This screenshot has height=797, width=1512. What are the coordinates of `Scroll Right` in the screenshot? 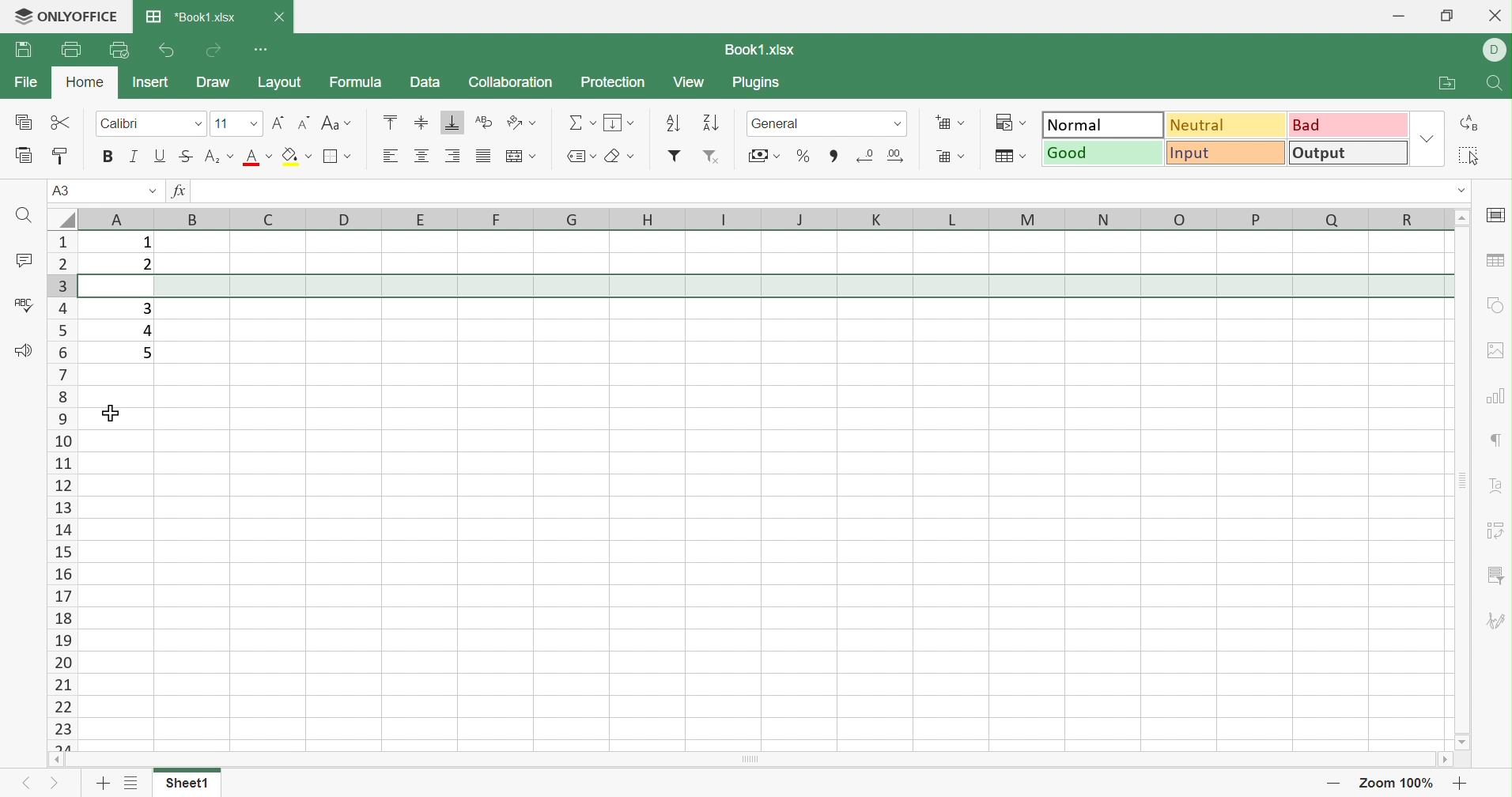 It's located at (1443, 759).